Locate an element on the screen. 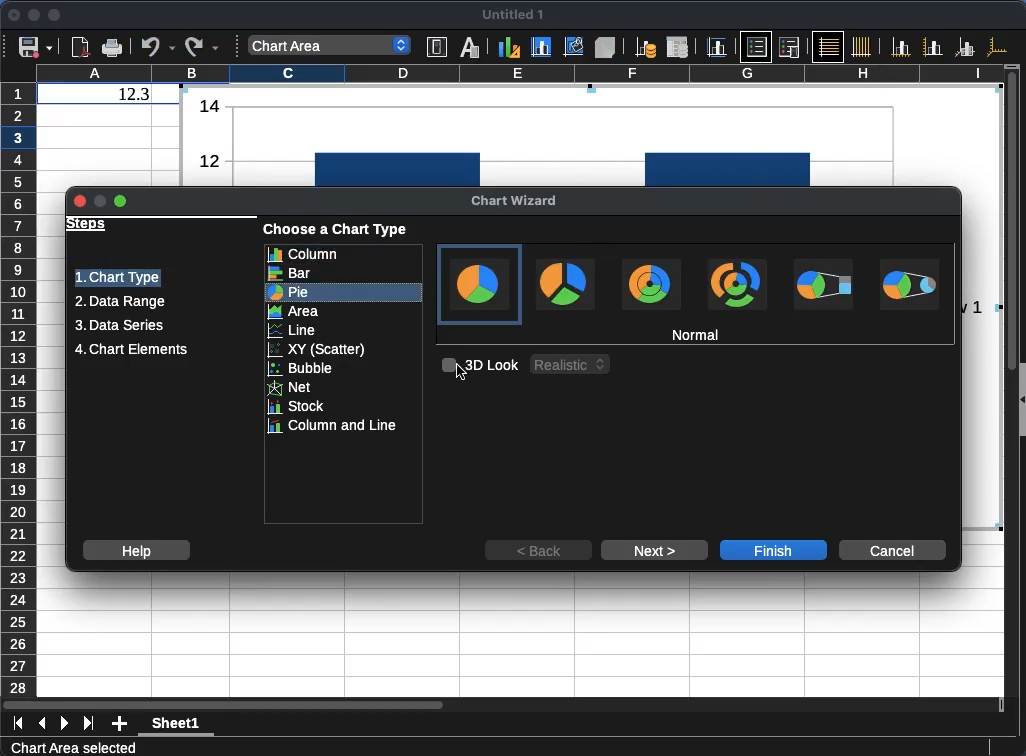  Data ranges is located at coordinates (645, 47).